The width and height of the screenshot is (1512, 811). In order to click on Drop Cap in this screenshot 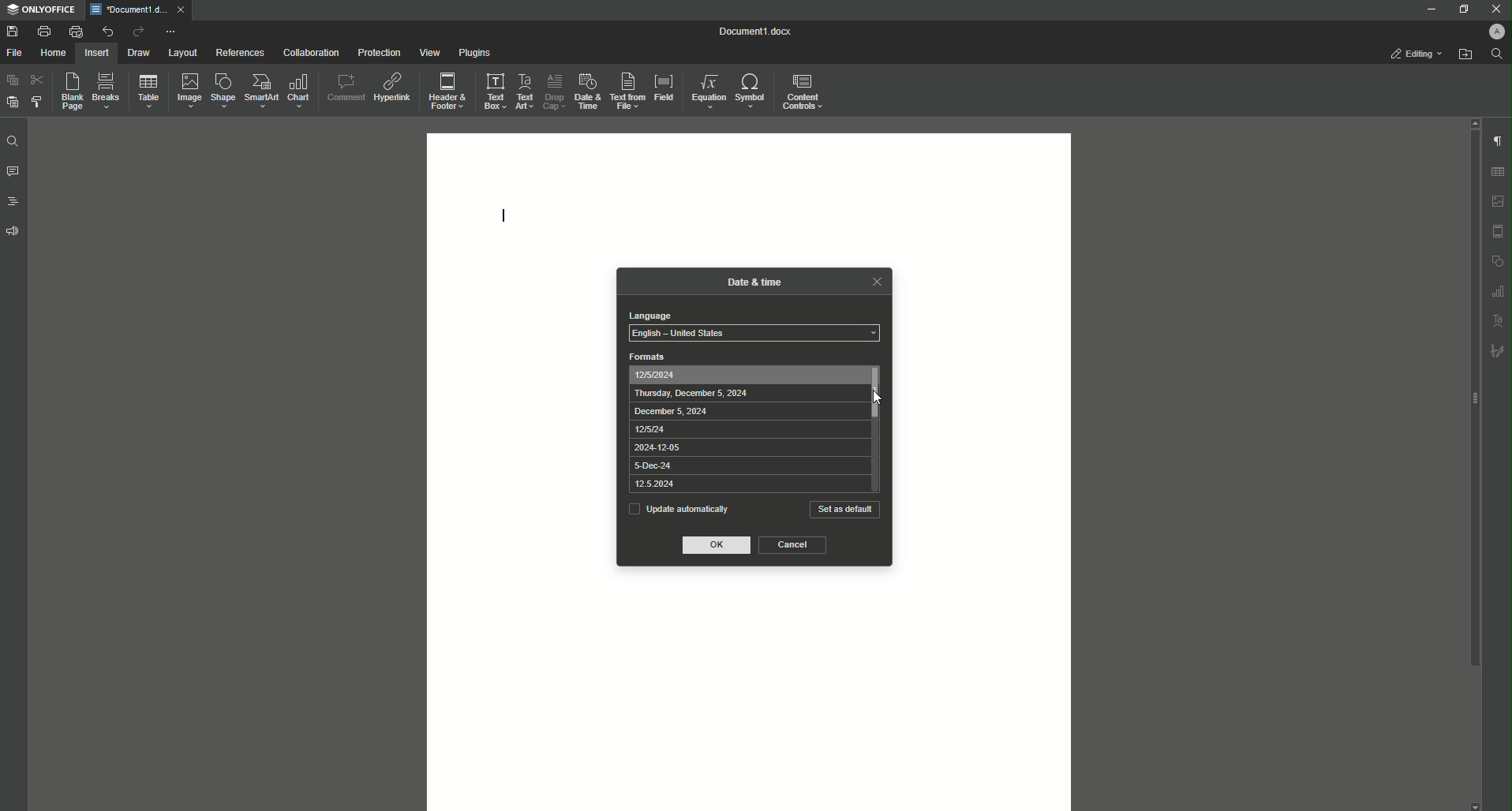, I will do `click(553, 90)`.